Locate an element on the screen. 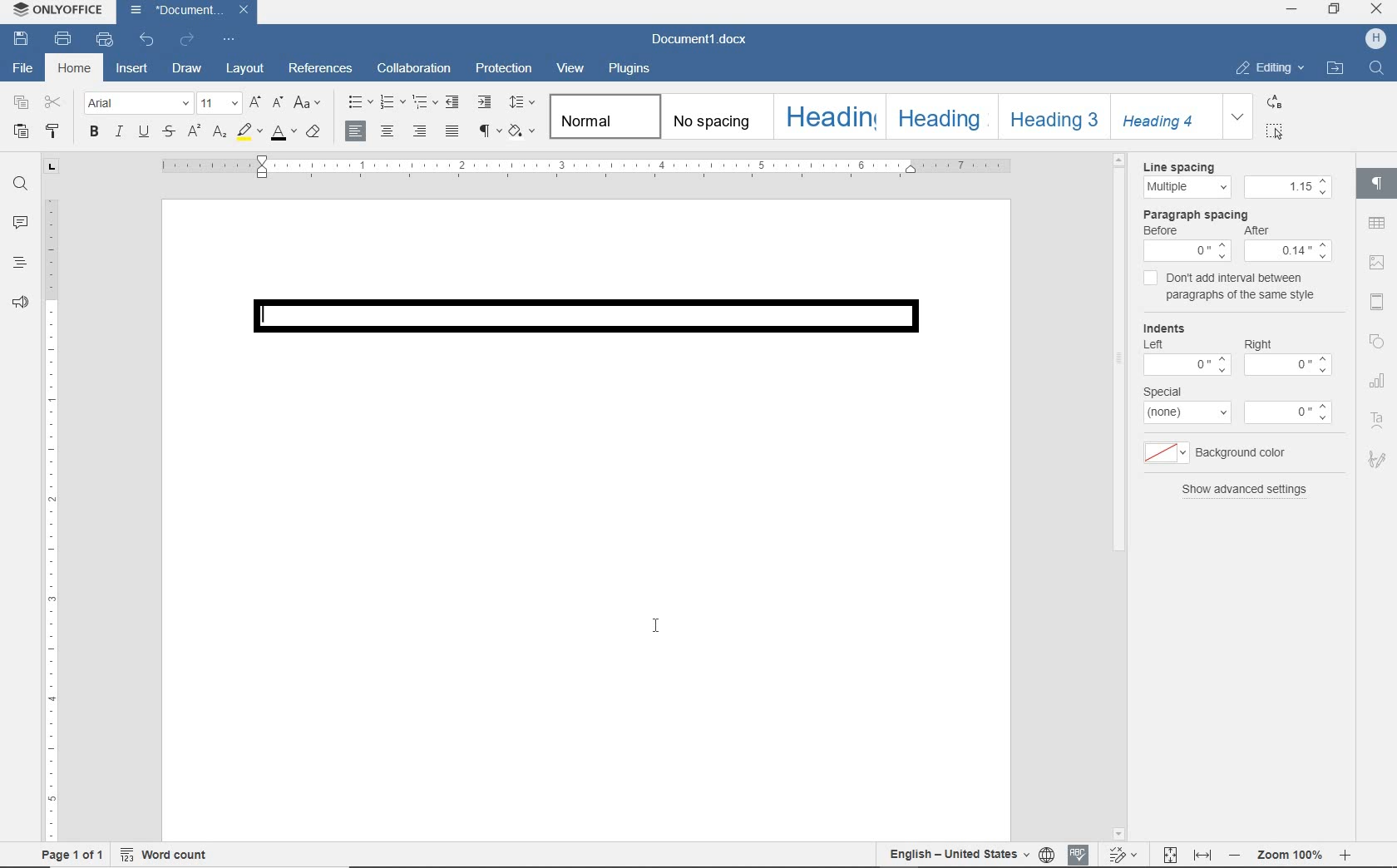  print is located at coordinates (103, 40).